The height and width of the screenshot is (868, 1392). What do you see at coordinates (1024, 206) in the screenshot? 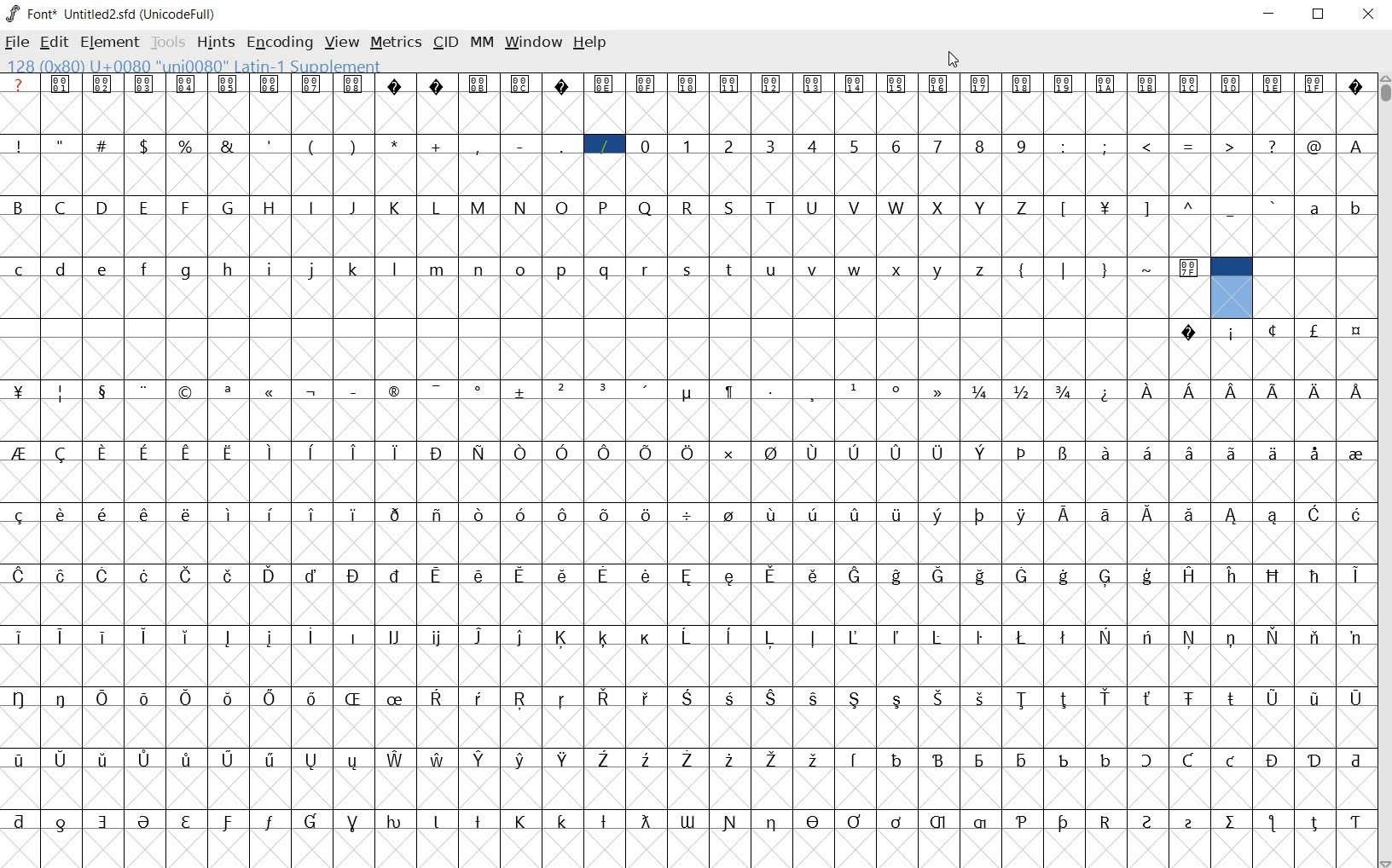
I see `Z` at bounding box center [1024, 206].